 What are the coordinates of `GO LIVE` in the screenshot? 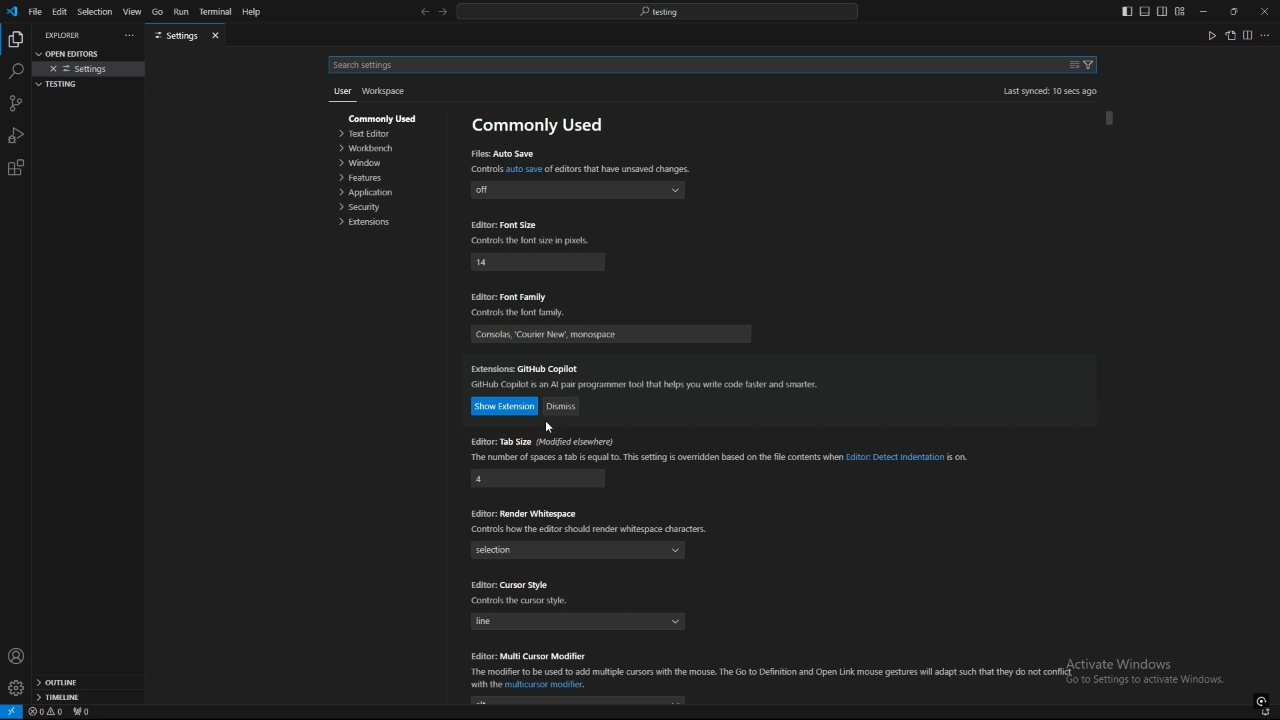 It's located at (1262, 700).